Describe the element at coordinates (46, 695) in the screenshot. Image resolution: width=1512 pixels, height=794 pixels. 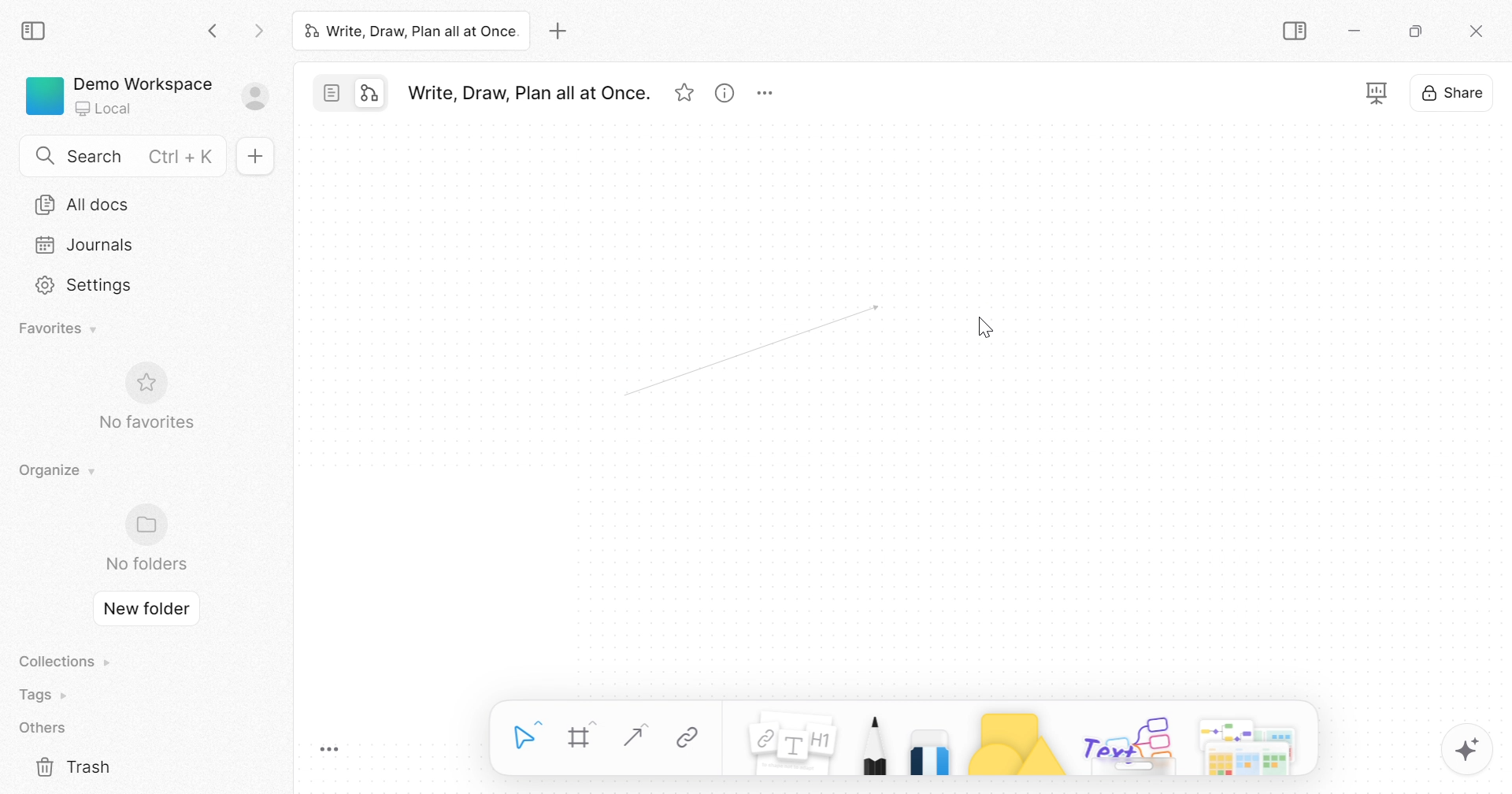
I see `Tags` at that location.